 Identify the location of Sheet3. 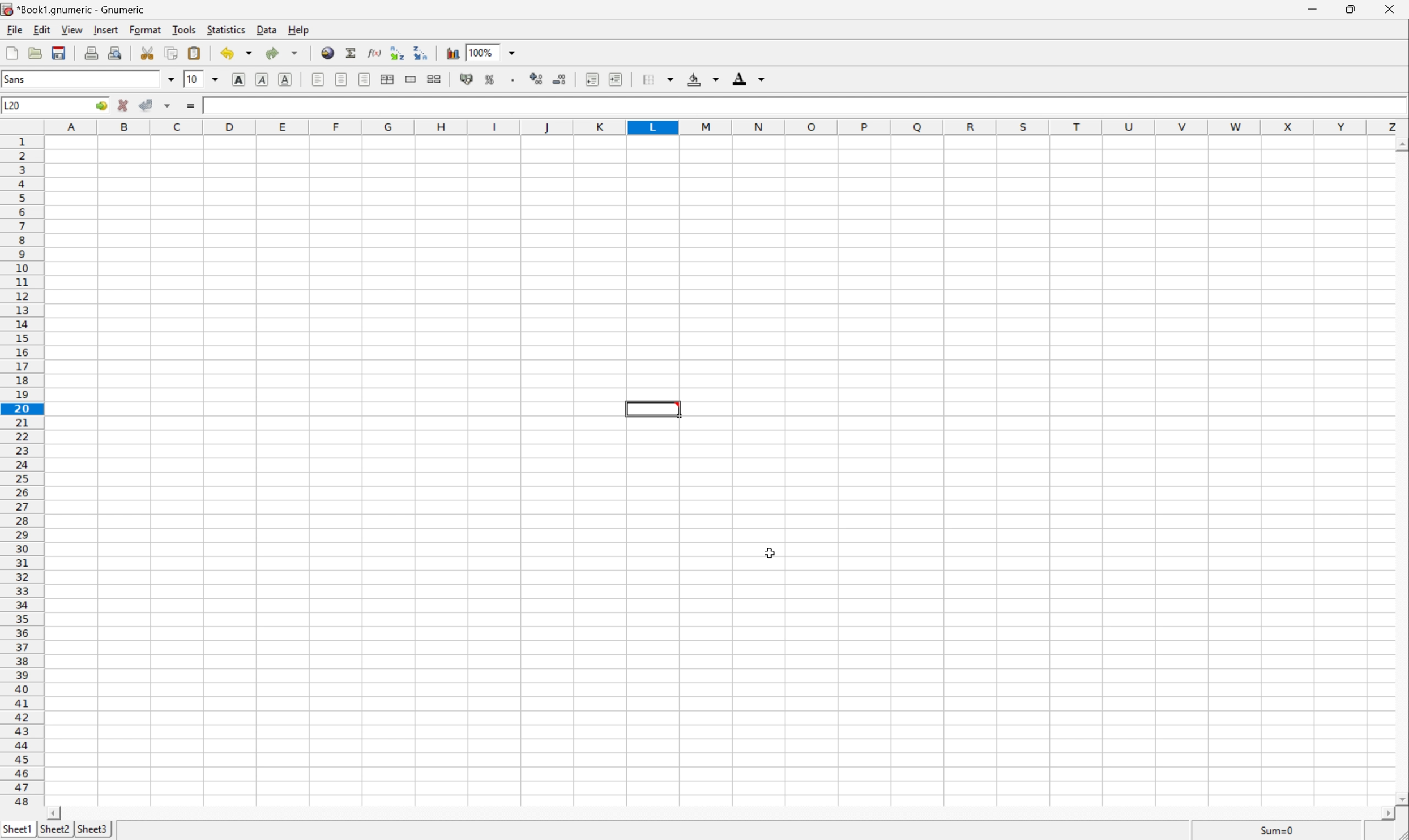
(54, 829).